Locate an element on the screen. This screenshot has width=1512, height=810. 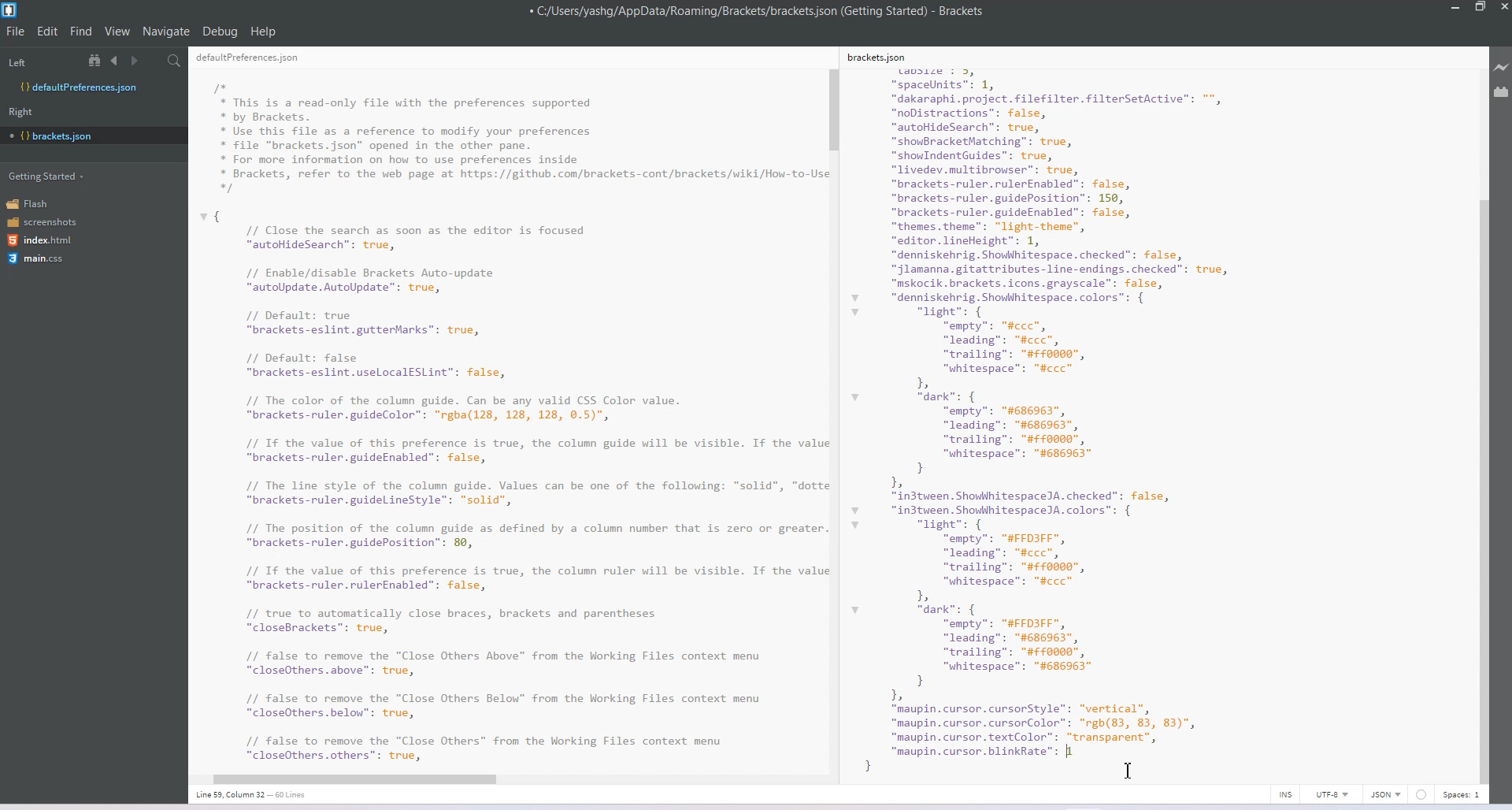
Debug is located at coordinates (220, 31).